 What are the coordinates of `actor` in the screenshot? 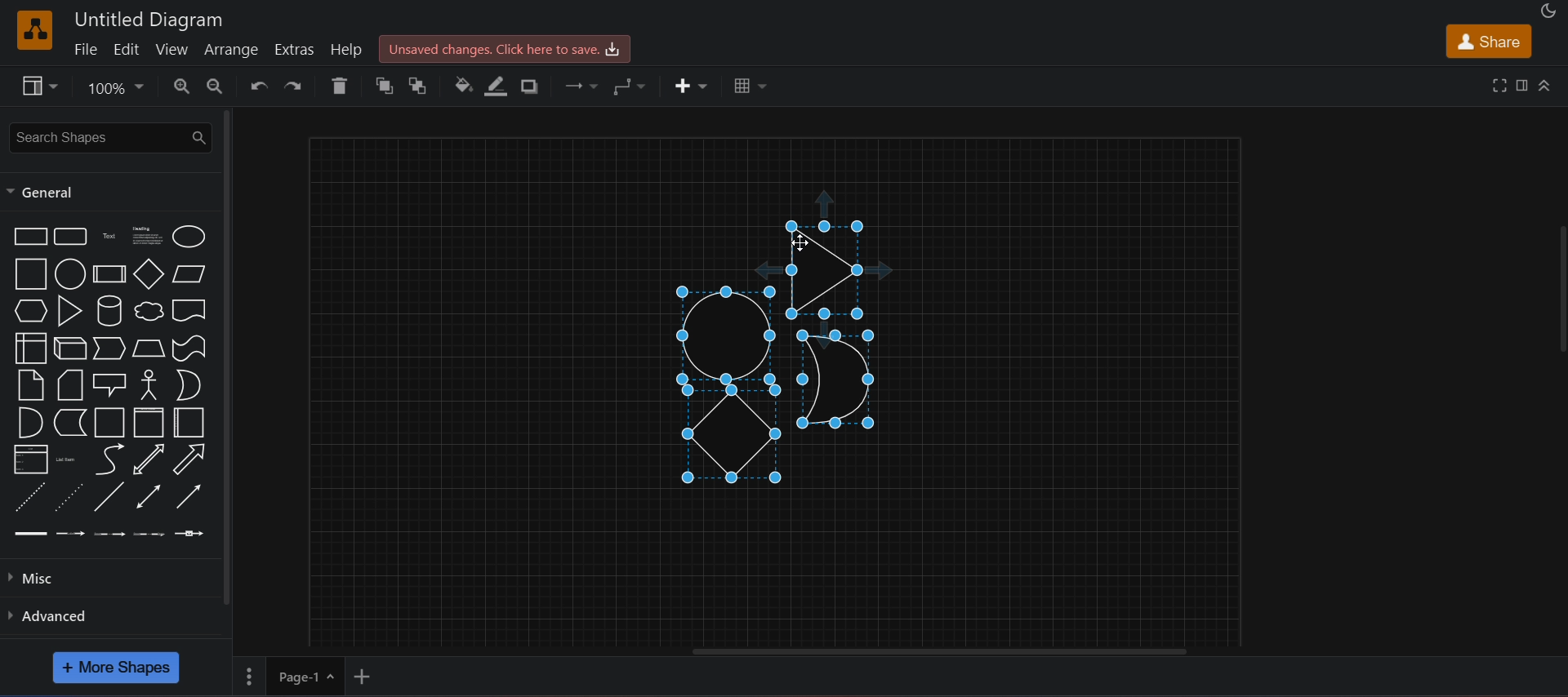 It's located at (149, 385).